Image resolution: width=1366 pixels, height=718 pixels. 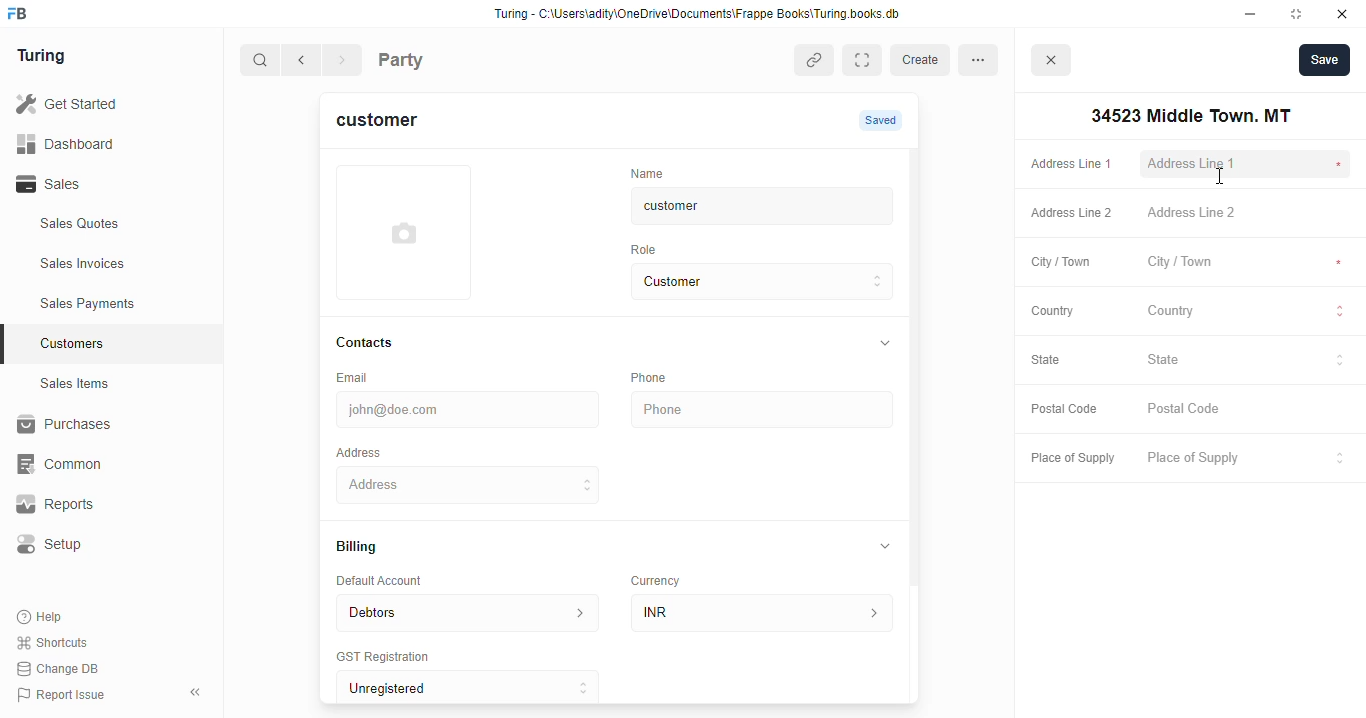 What do you see at coordinates (766, 612) in the screenshot?
I see `INR` at bounding box center [766, 612].